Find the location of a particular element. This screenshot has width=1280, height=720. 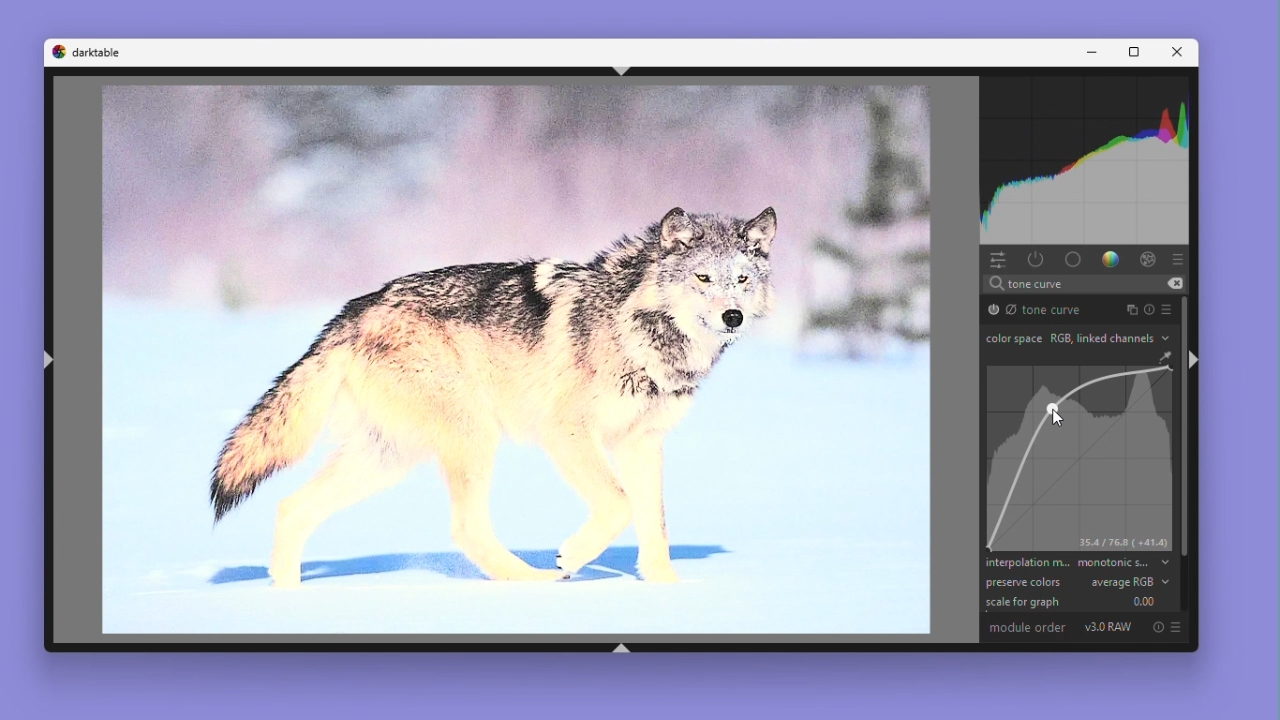

show only active modules is located at coordinates (1035, 260).